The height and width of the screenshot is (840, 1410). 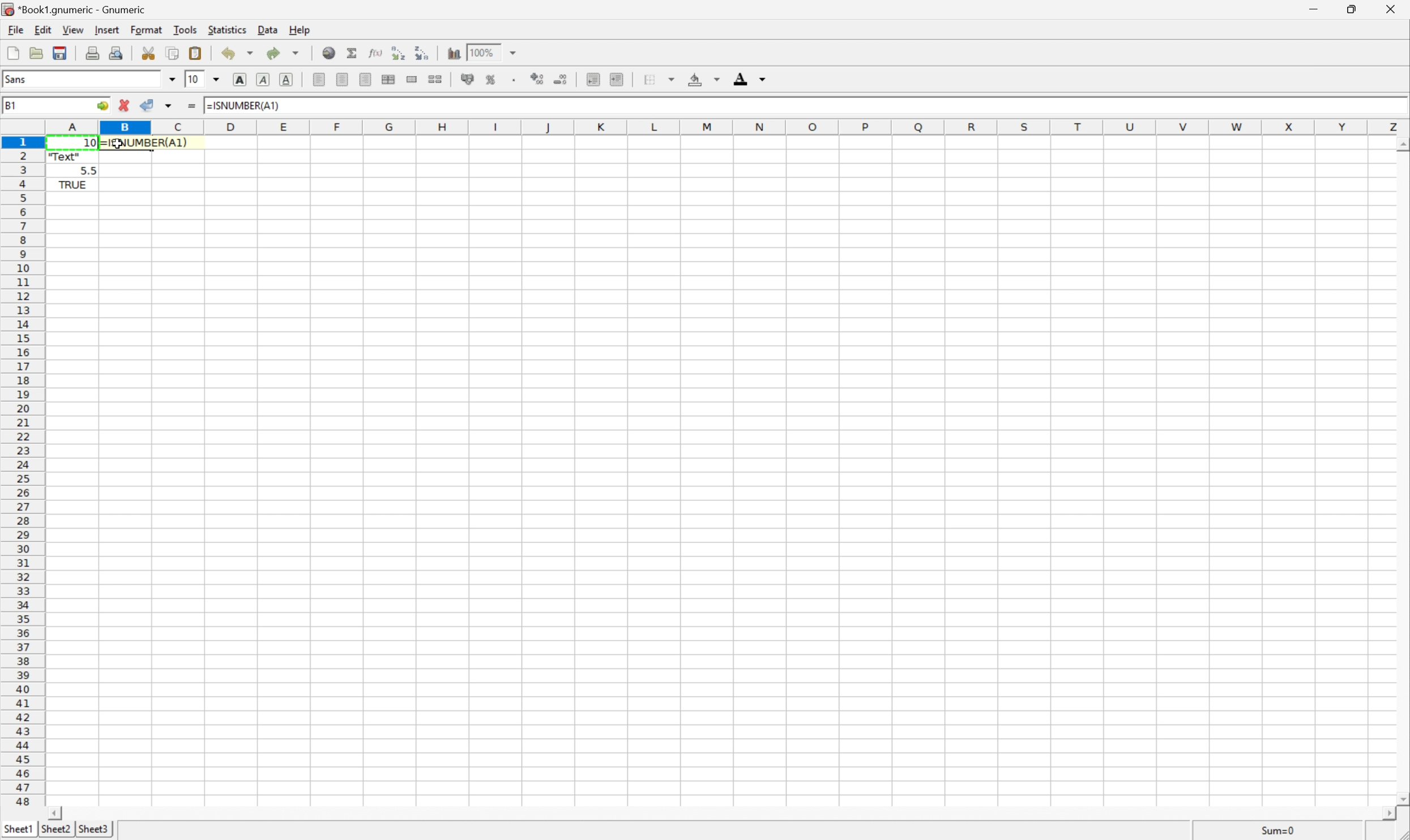 I want to click on Split Ranges of merged cells, so click(x=434, y=79).